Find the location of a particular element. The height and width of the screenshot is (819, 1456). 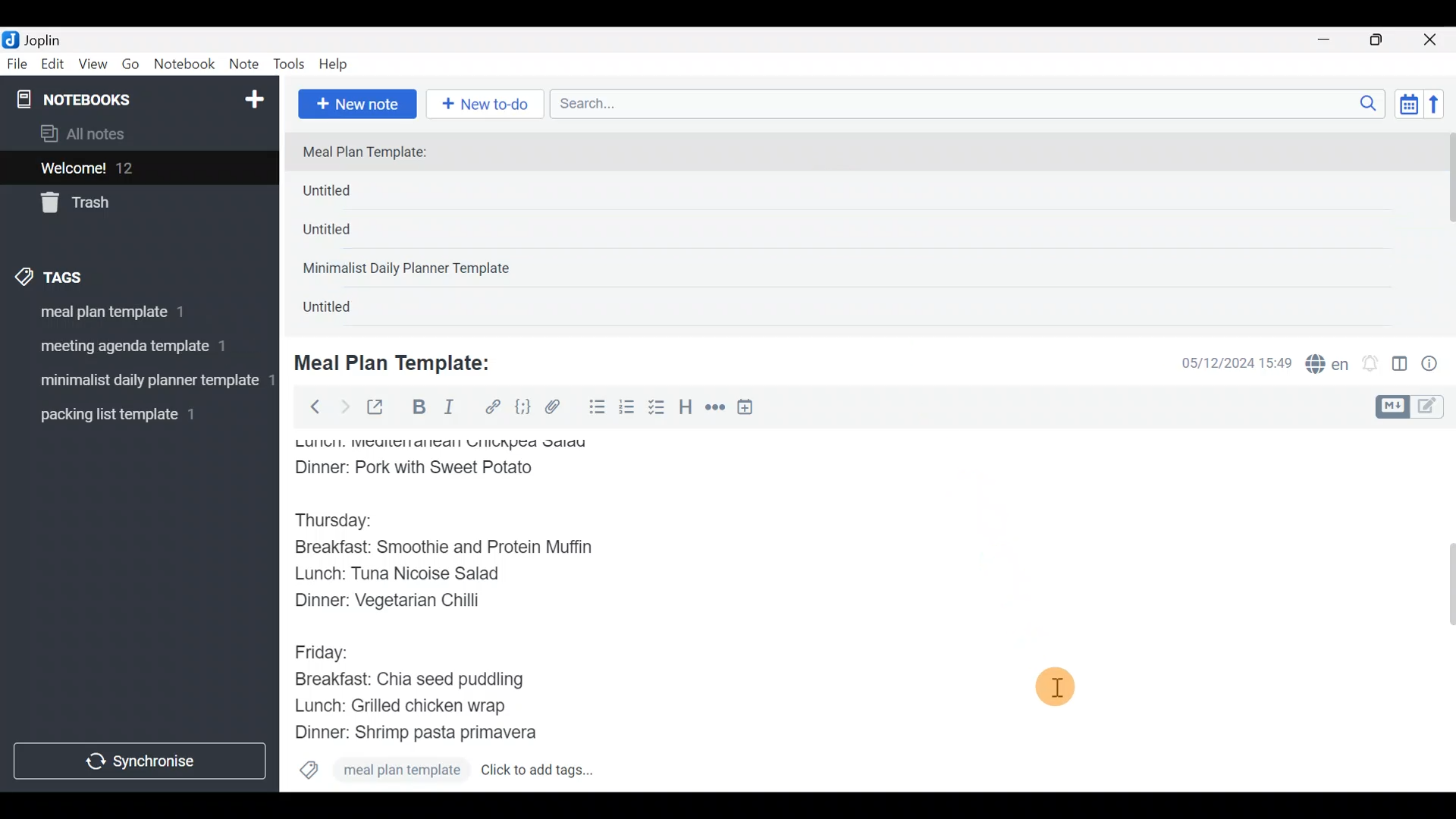

Bulleted list is located at coordinates (594, 408).